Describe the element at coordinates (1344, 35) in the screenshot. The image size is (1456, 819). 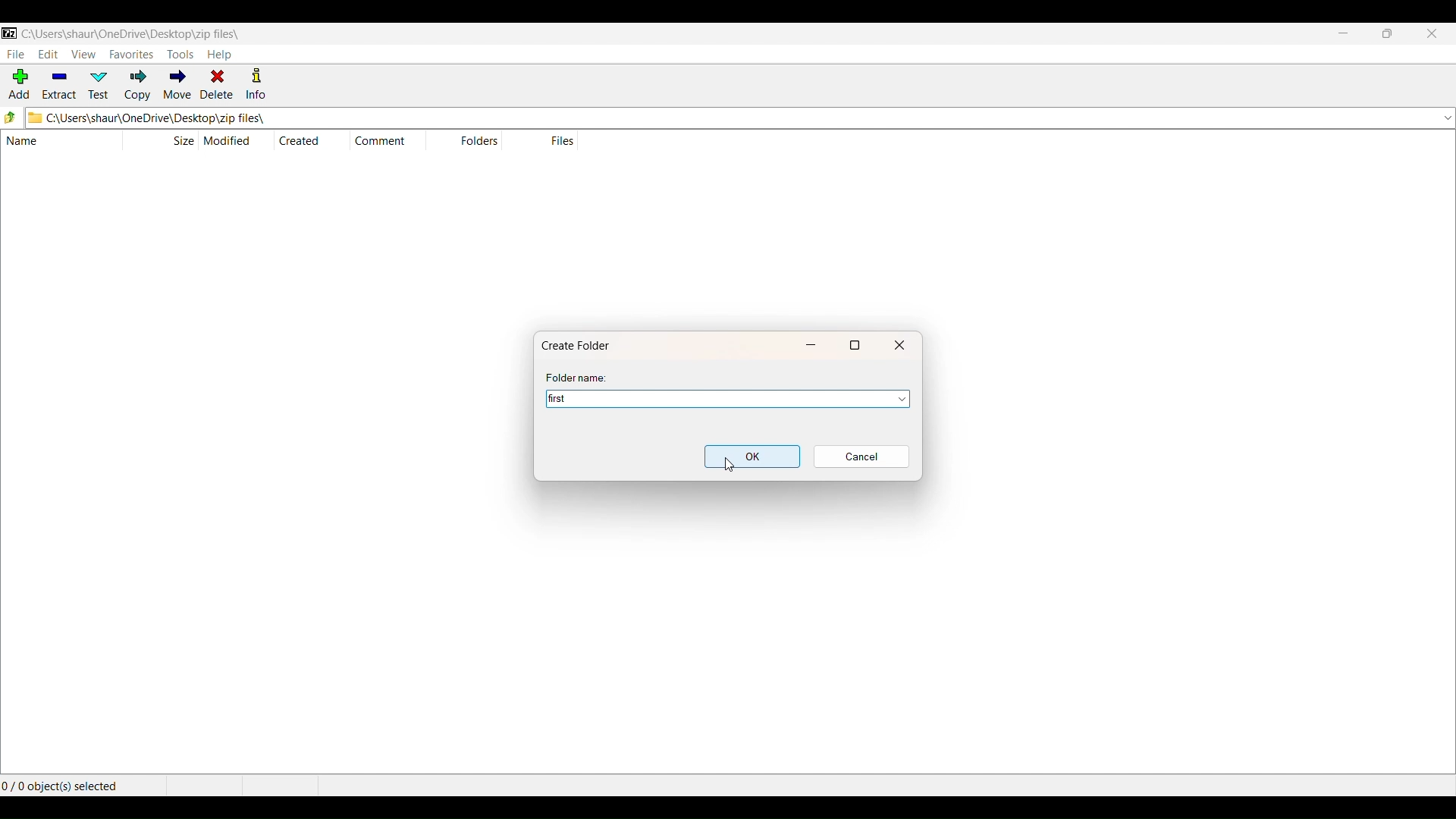
I see `MINIMIZE` at that location.